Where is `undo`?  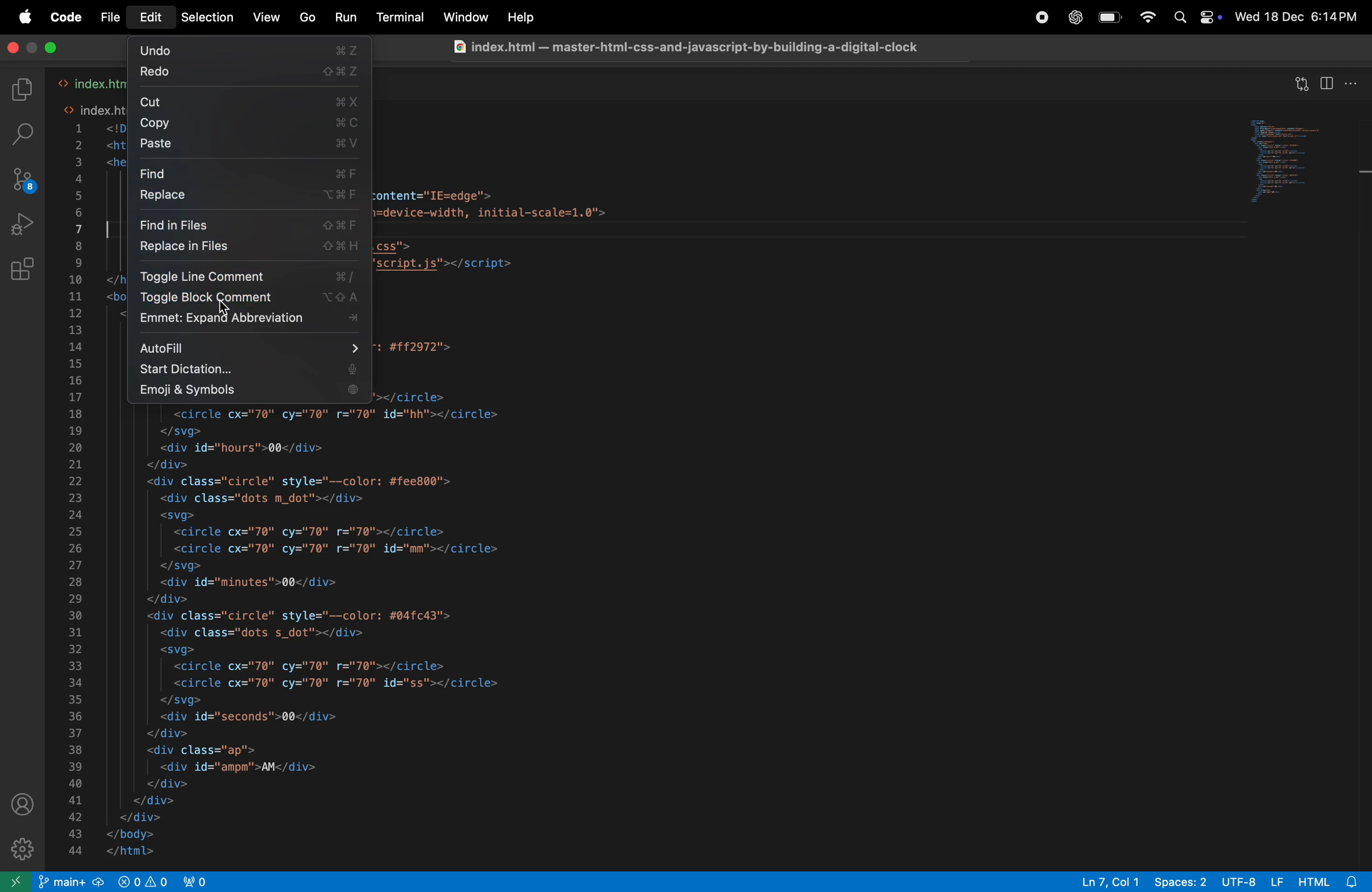
undo is located at coordinates (247, 50).